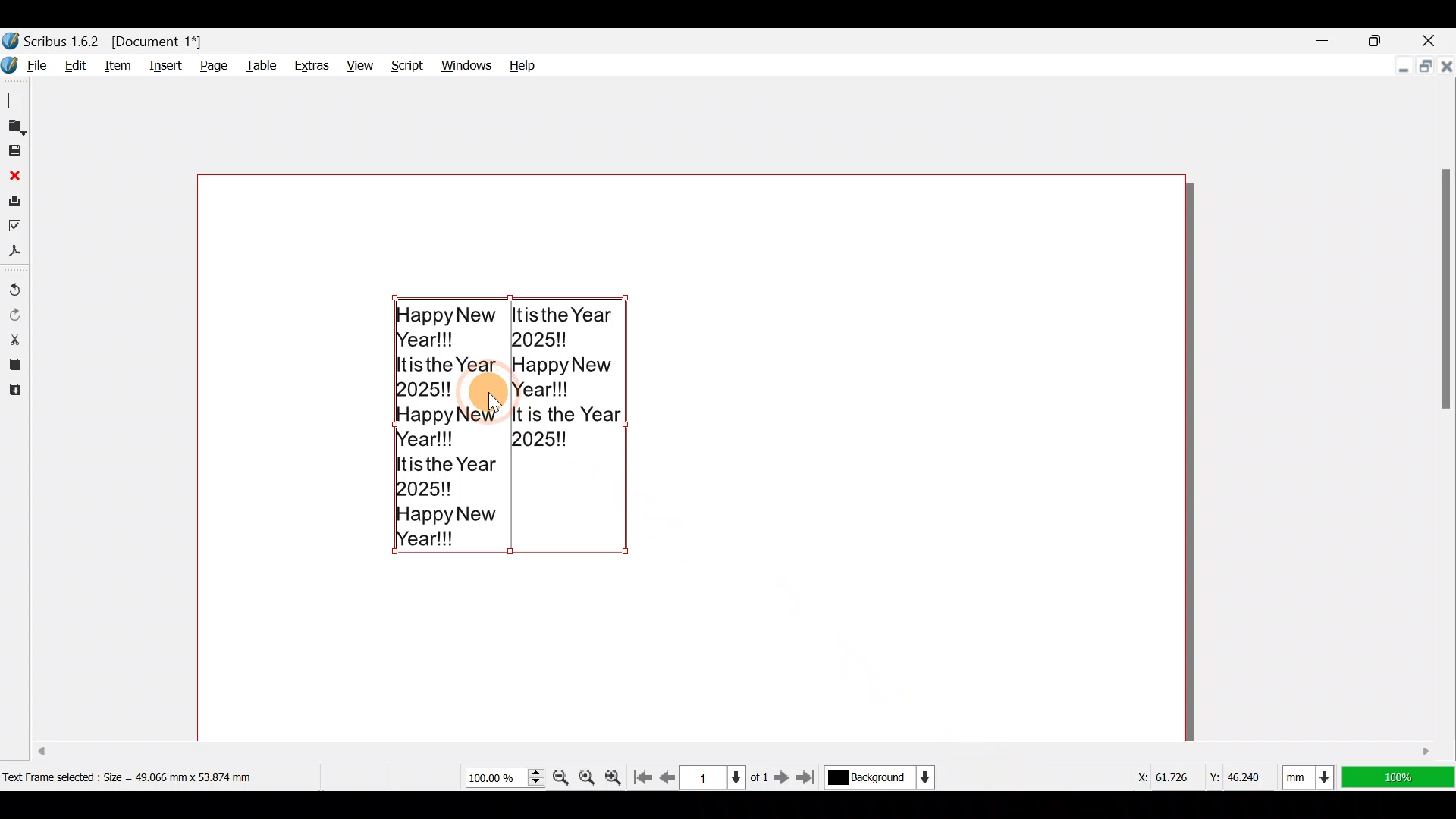 The width and height of the screenshot is (1456, 819). Describe the element at coordinates (523, 62) in the screenshot. I see `Help` at that location.